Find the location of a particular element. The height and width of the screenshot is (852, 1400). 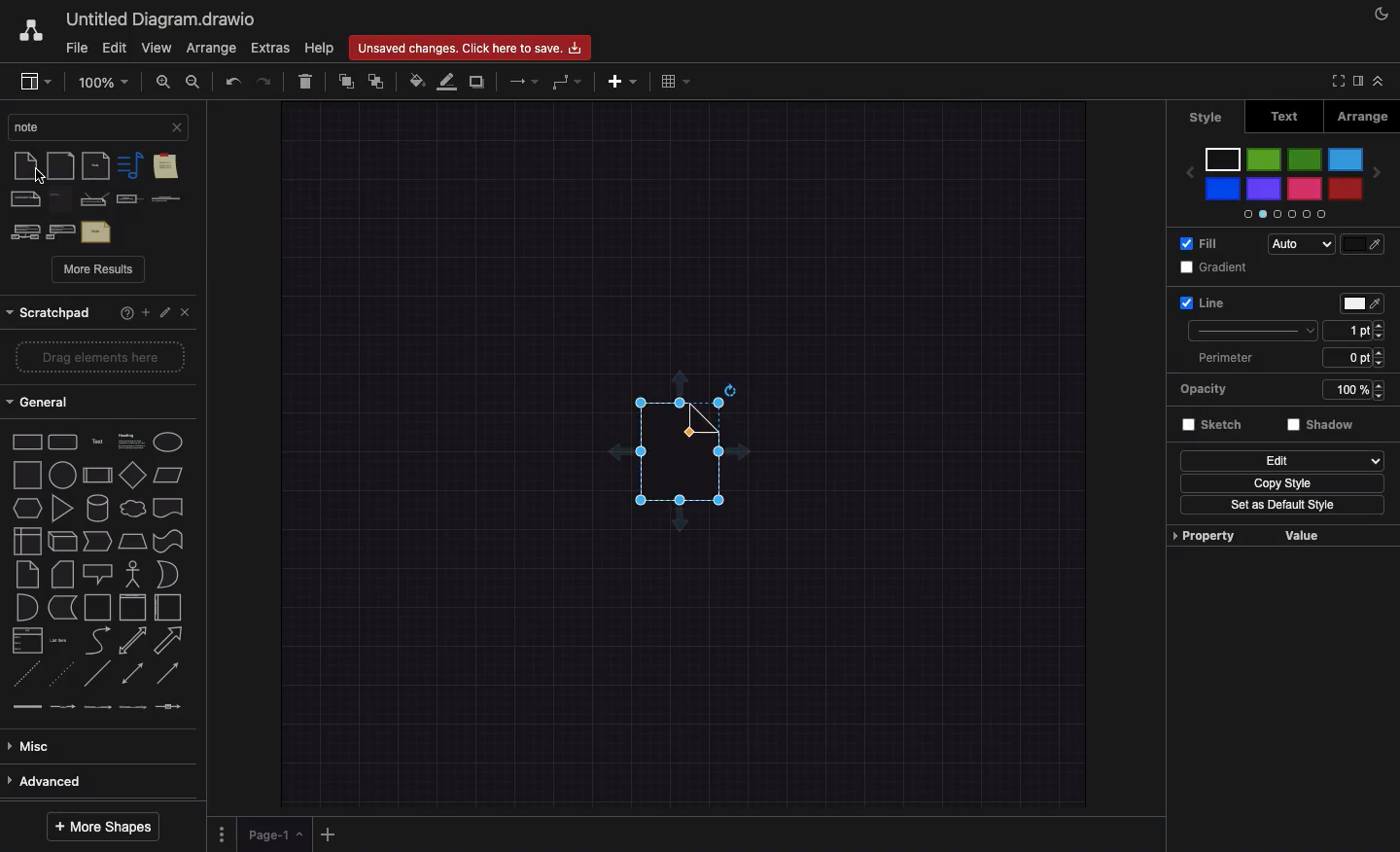

increase opacity is located at coordinates (1379, 382).